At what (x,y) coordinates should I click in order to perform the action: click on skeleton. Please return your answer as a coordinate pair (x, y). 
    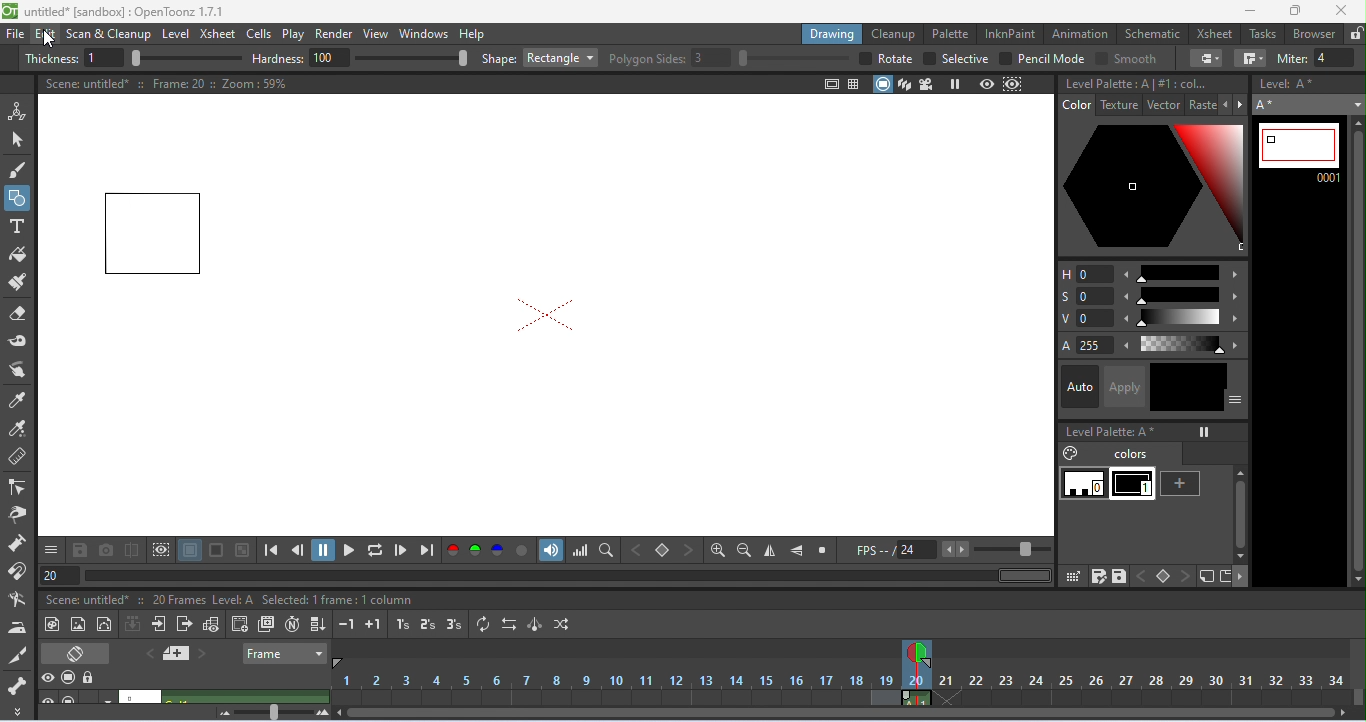
    Looking at the image, I should click on (15, 685).